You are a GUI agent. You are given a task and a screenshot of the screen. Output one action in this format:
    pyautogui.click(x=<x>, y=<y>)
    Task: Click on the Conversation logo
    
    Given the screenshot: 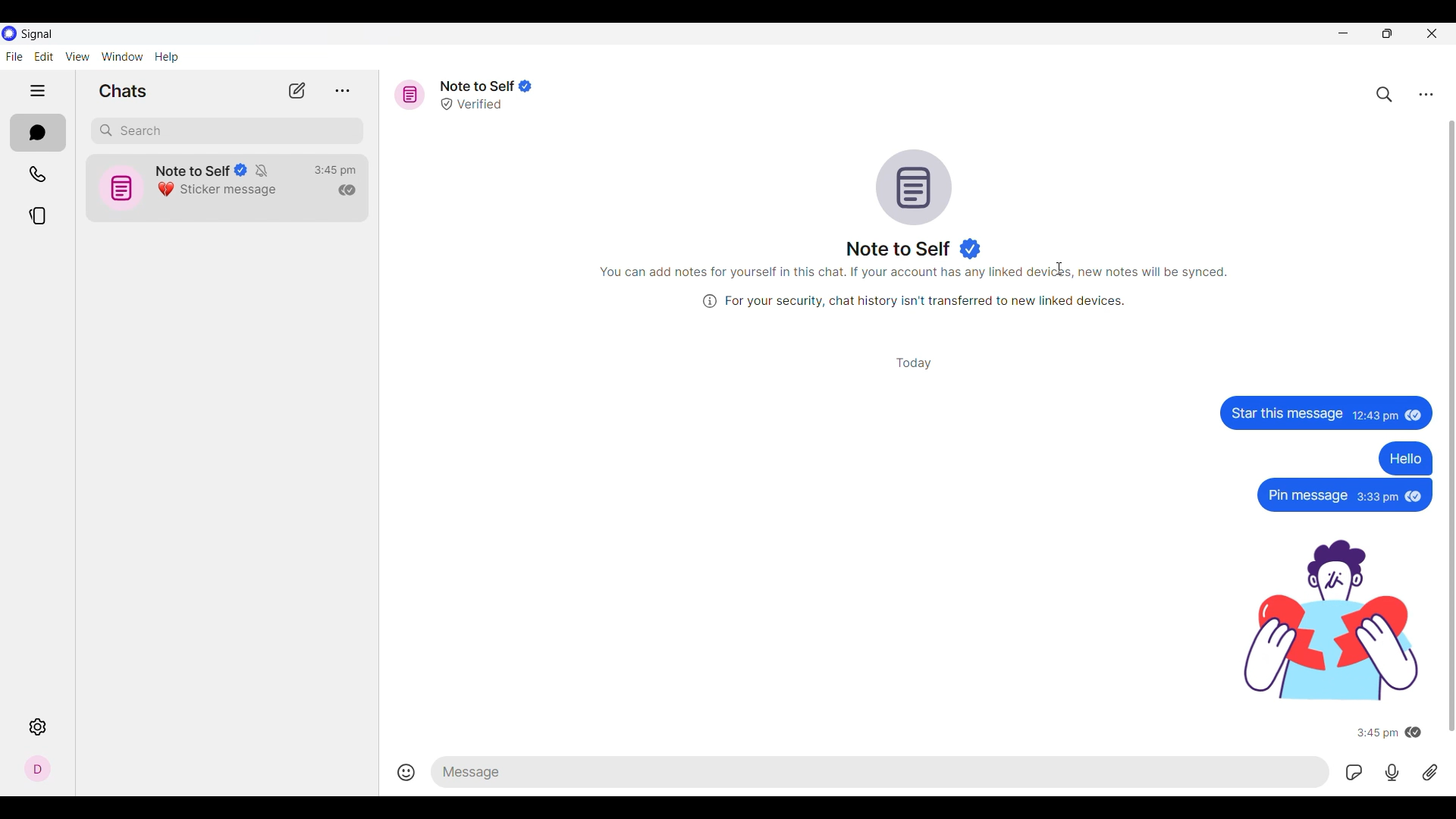 What is the action you would take?
    pyautogui.click(x=914, y=187)
    